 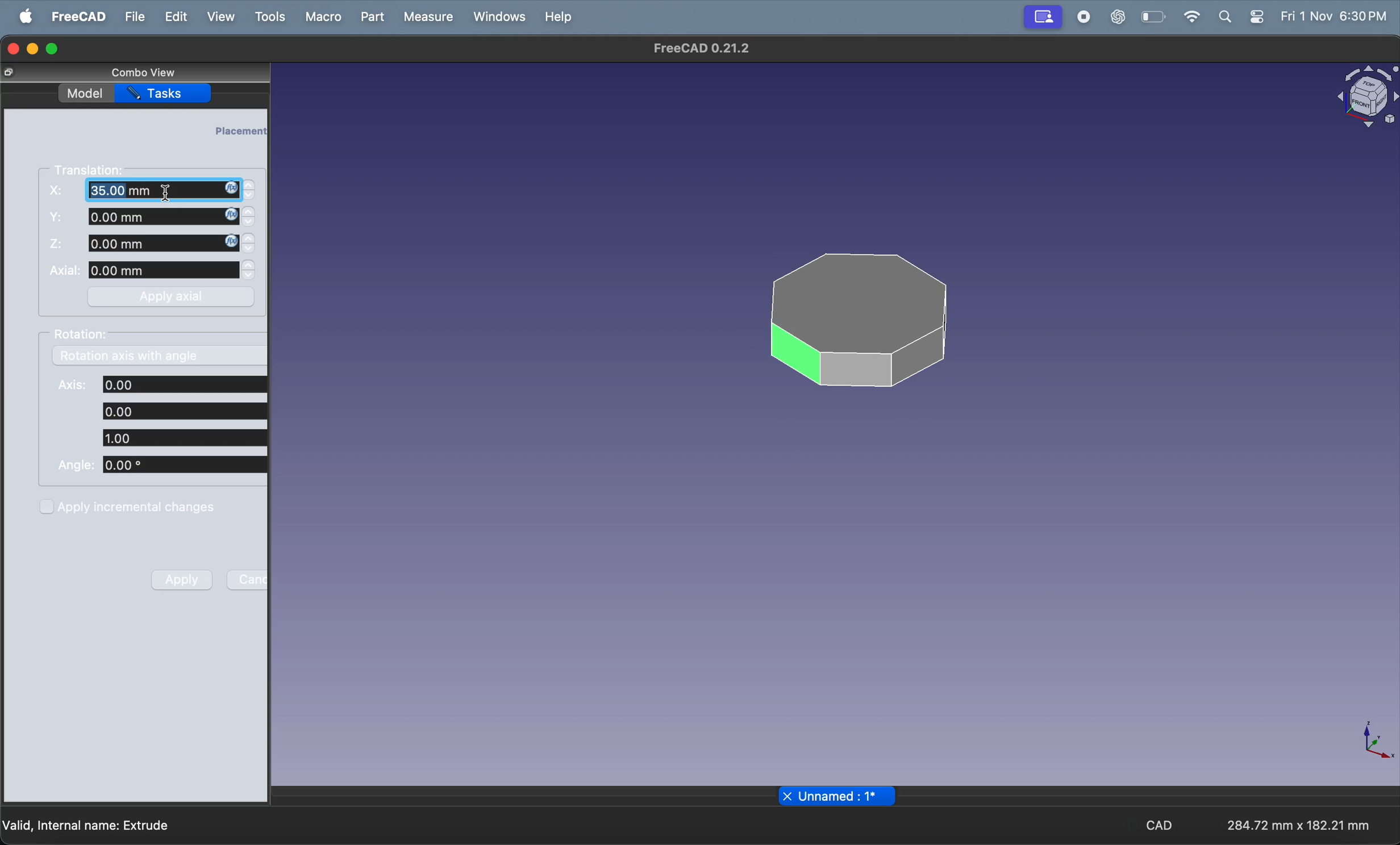 I want to click on X: 35.00 mm, so click(x=142, y=190).